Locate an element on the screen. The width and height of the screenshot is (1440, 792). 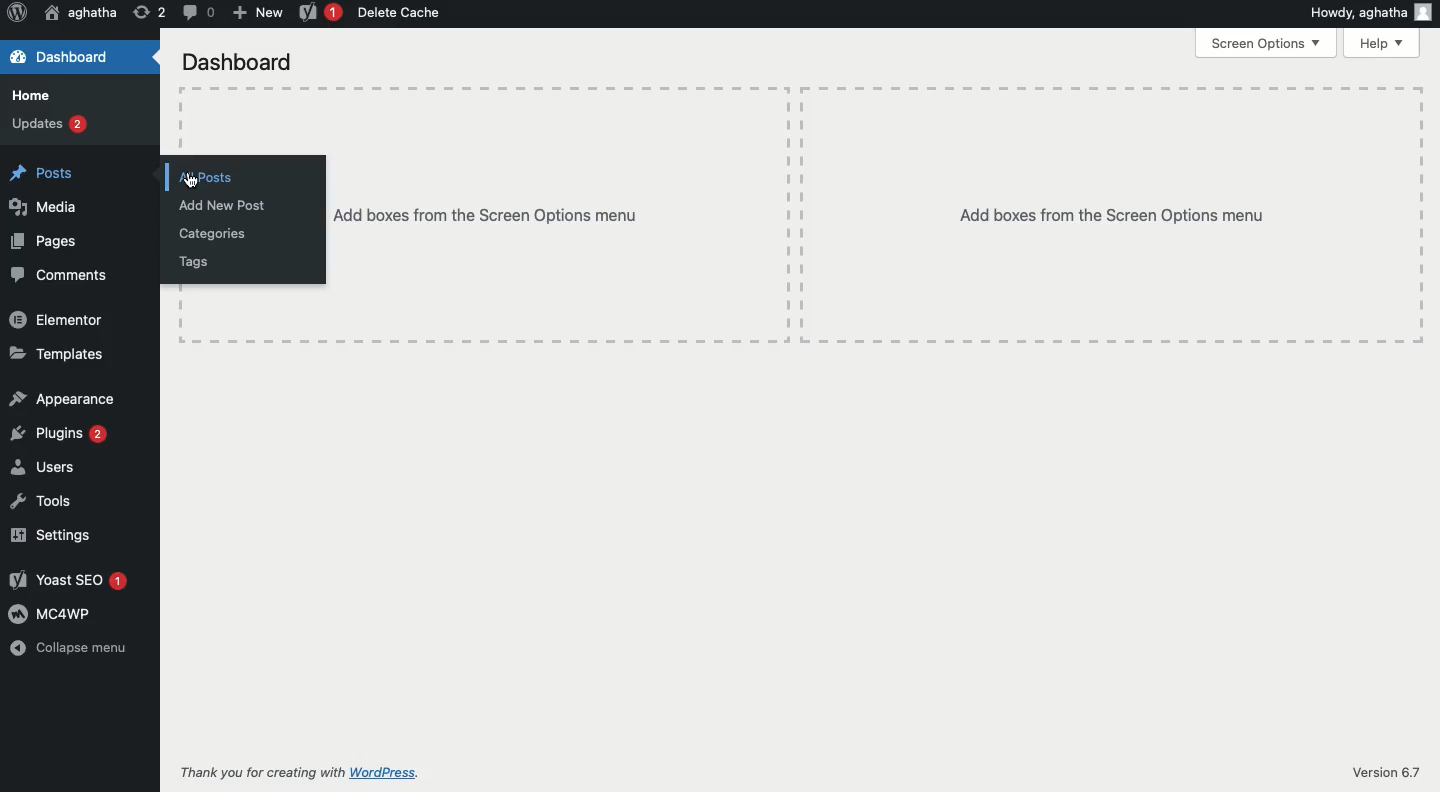
Logo is located at coordinates (17, 14).